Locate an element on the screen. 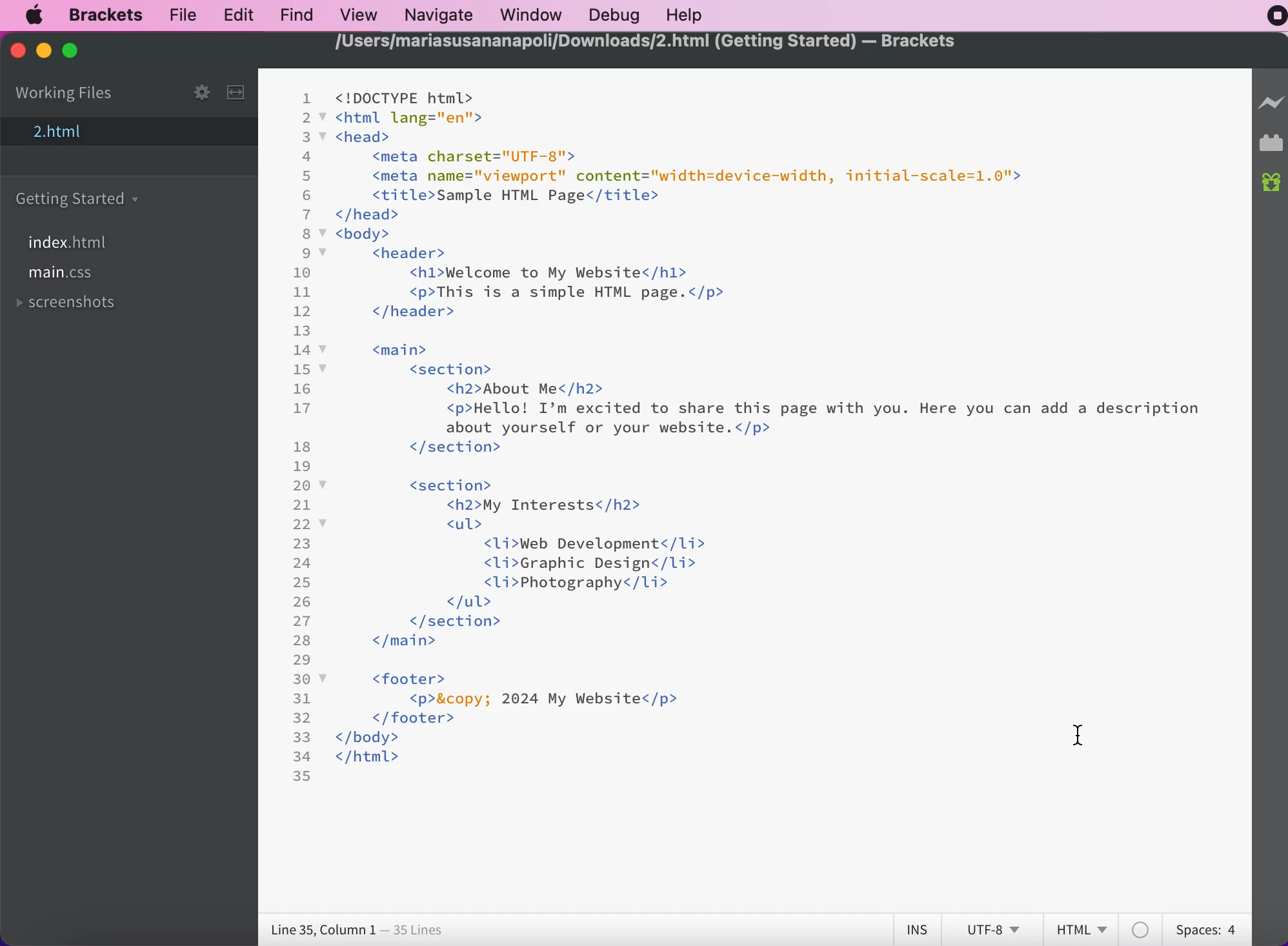 The height and width of the screenshot is (946, 1288). 12 is located at coordinates (303, 312).